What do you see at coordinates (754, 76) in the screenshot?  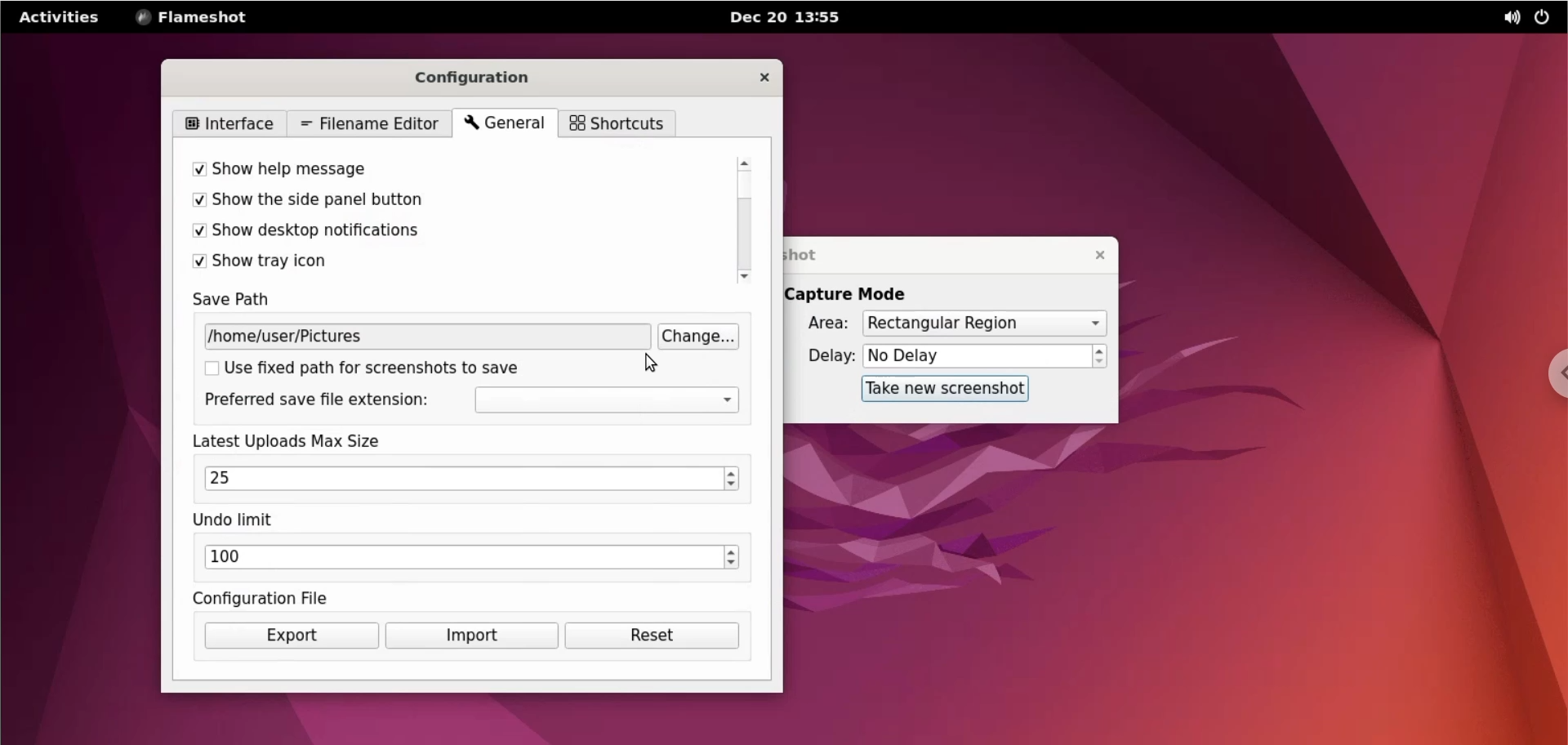 I see `close` at bounding box center [754, 76].